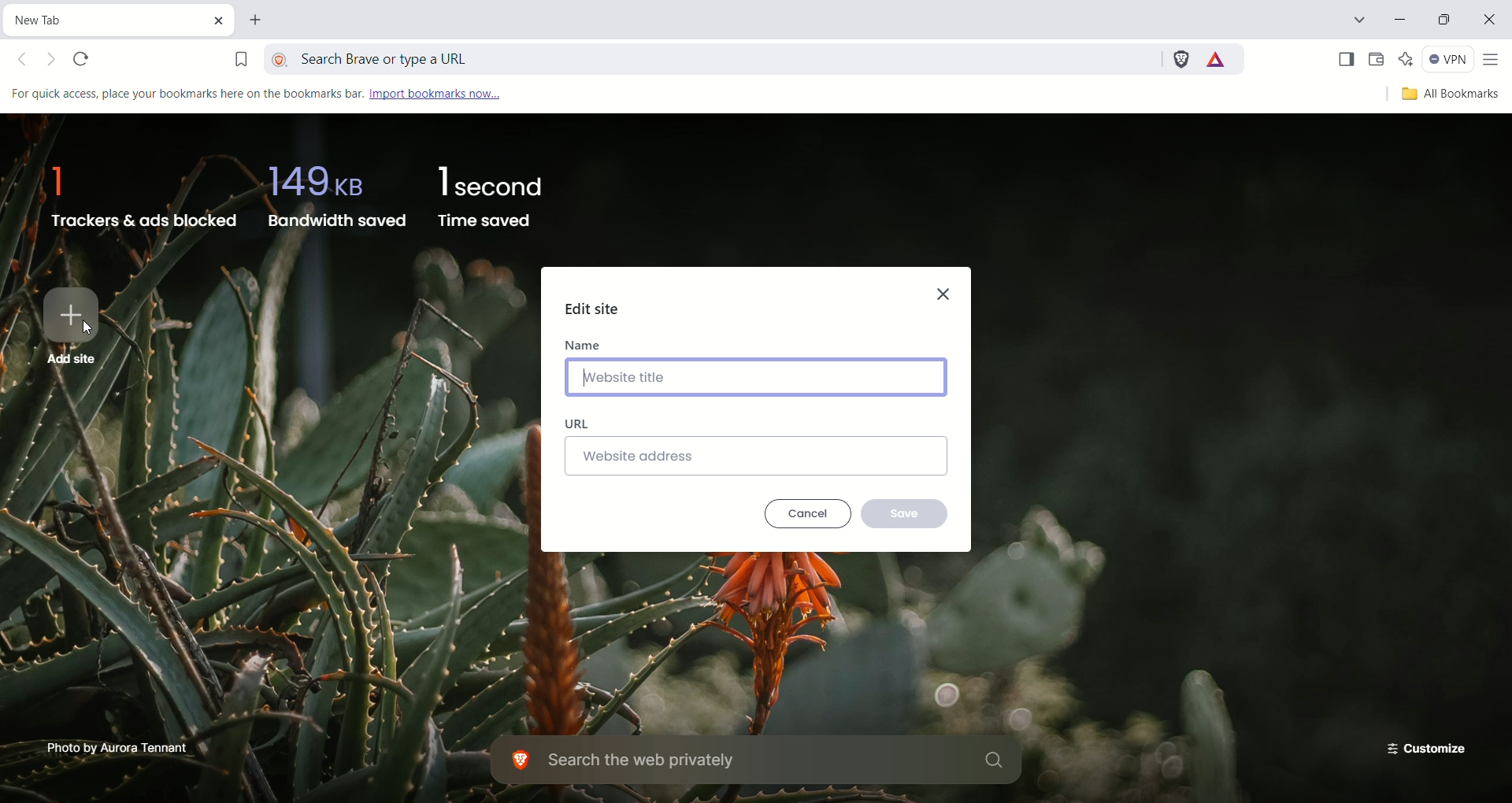 This screenshot has width=1512, height=803. I want to click on For quick access, place your bookmarks here on the bookmarks bar., so click(185, 94).